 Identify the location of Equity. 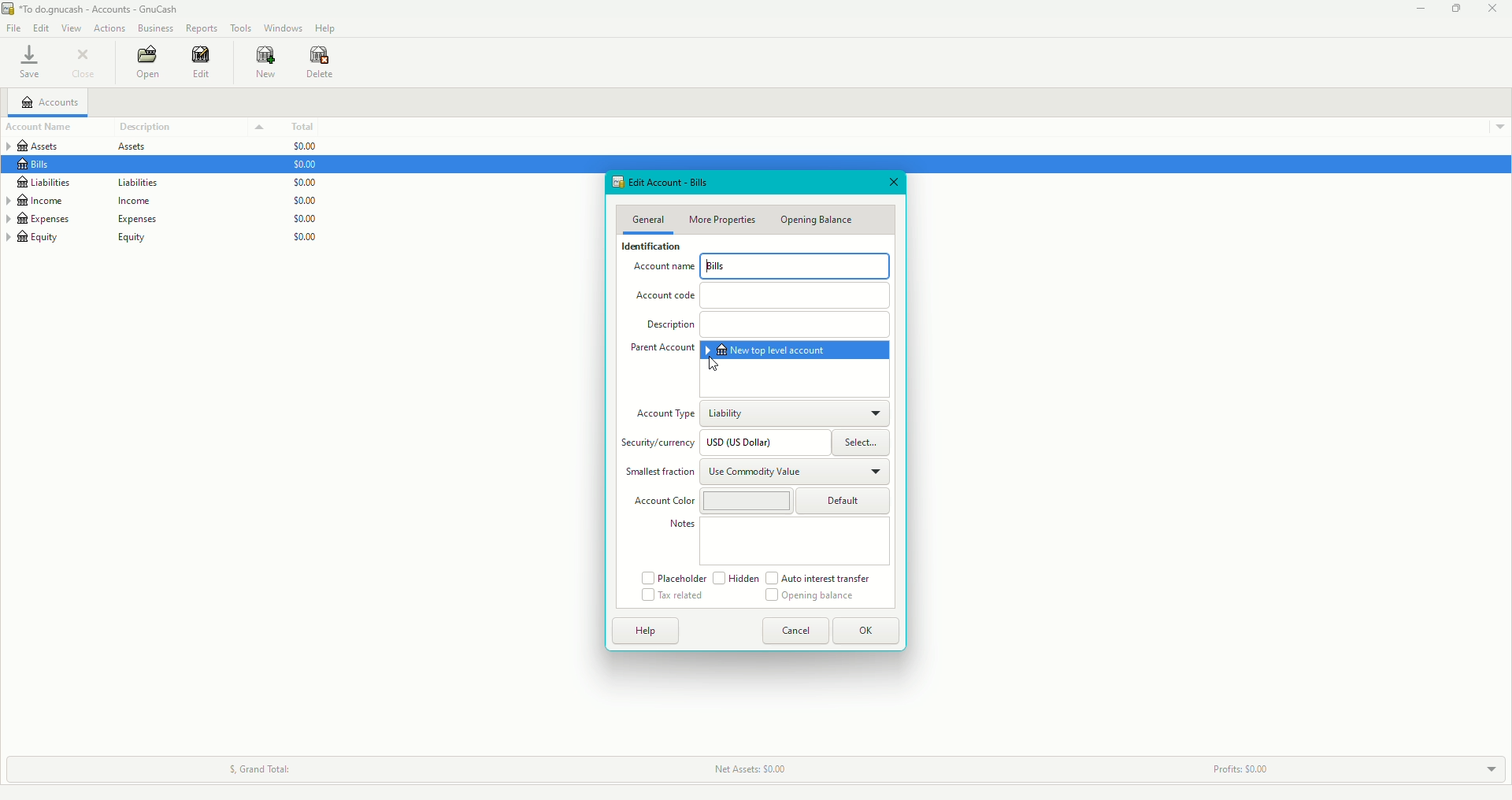
(83, 242).